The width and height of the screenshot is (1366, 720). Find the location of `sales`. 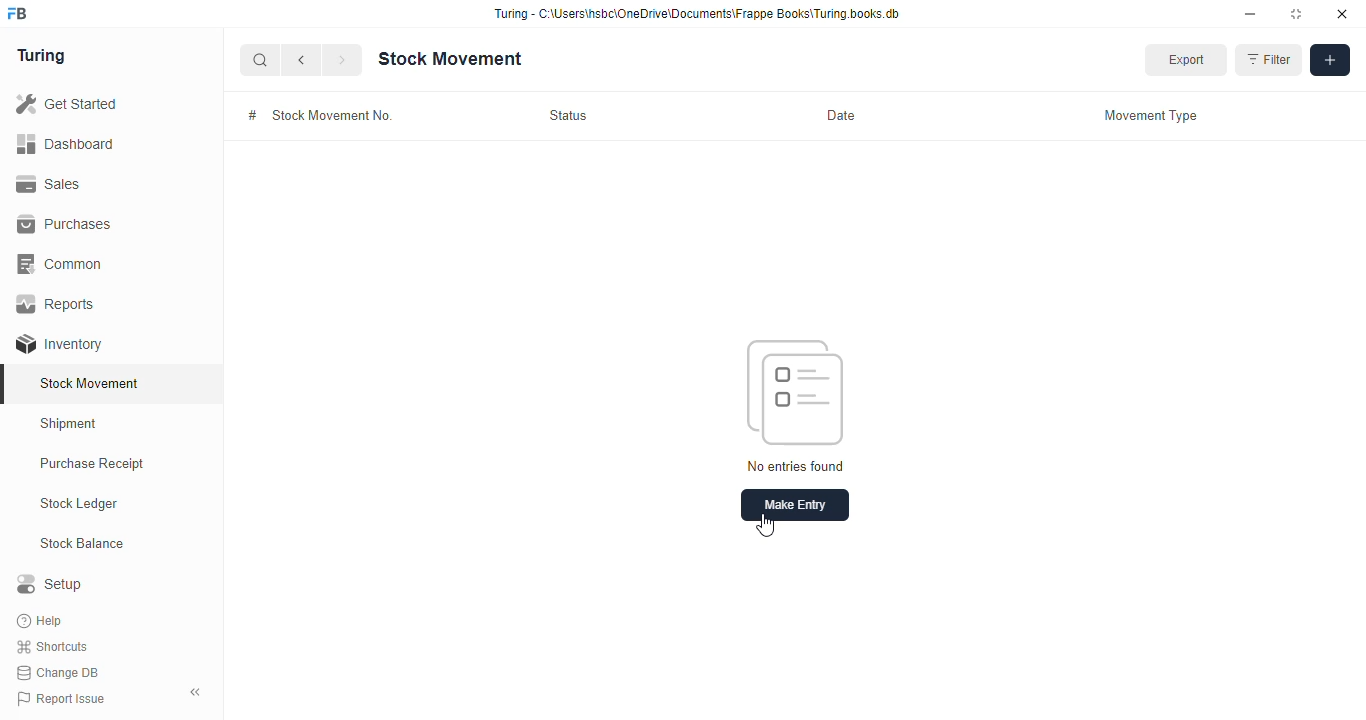

sales is located at coordinates (48, 184).